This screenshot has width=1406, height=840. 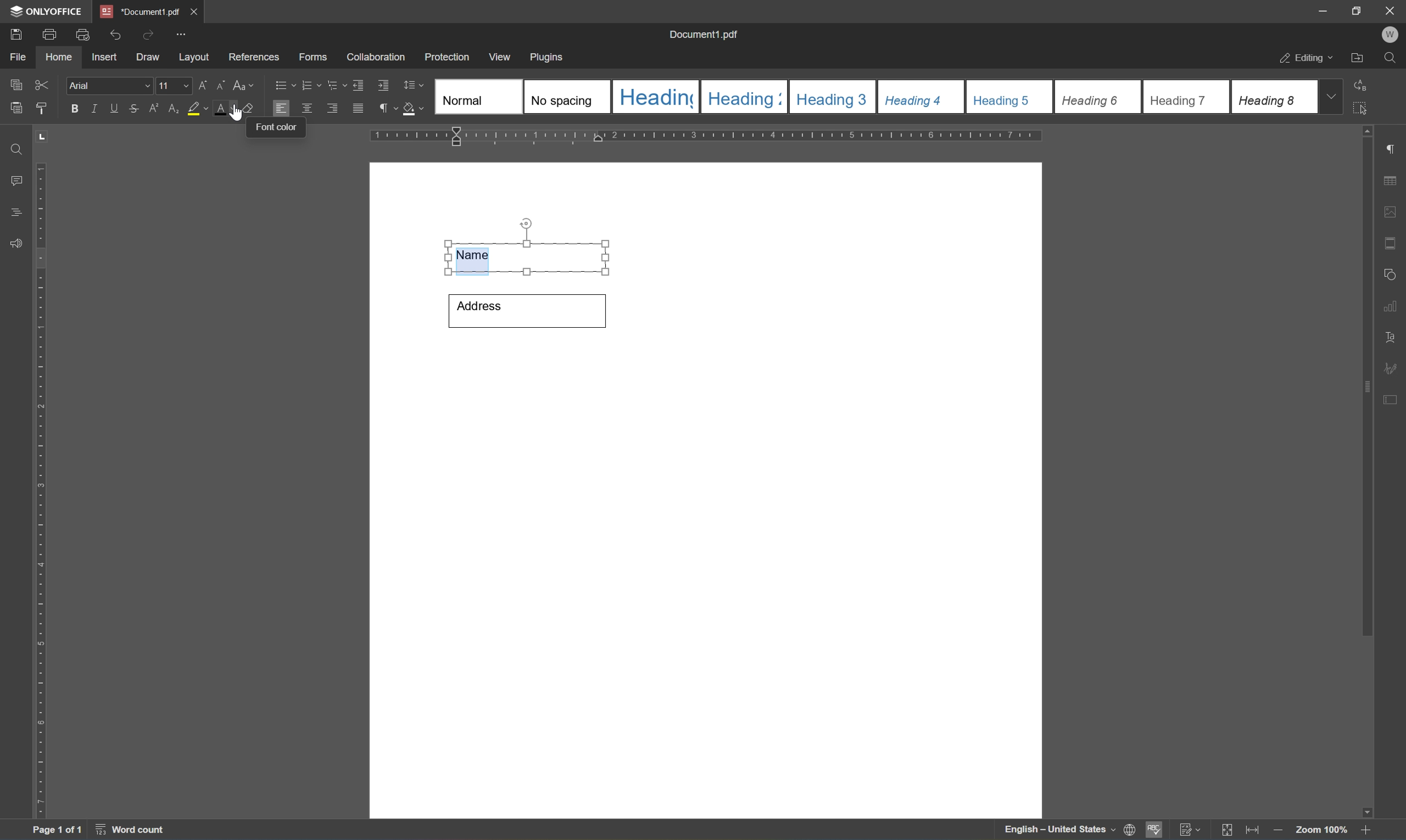 What do you see at coordinates (1321, 829) in the screenshot?
I see `zoom 100%` at bounding box center [1321, 829].